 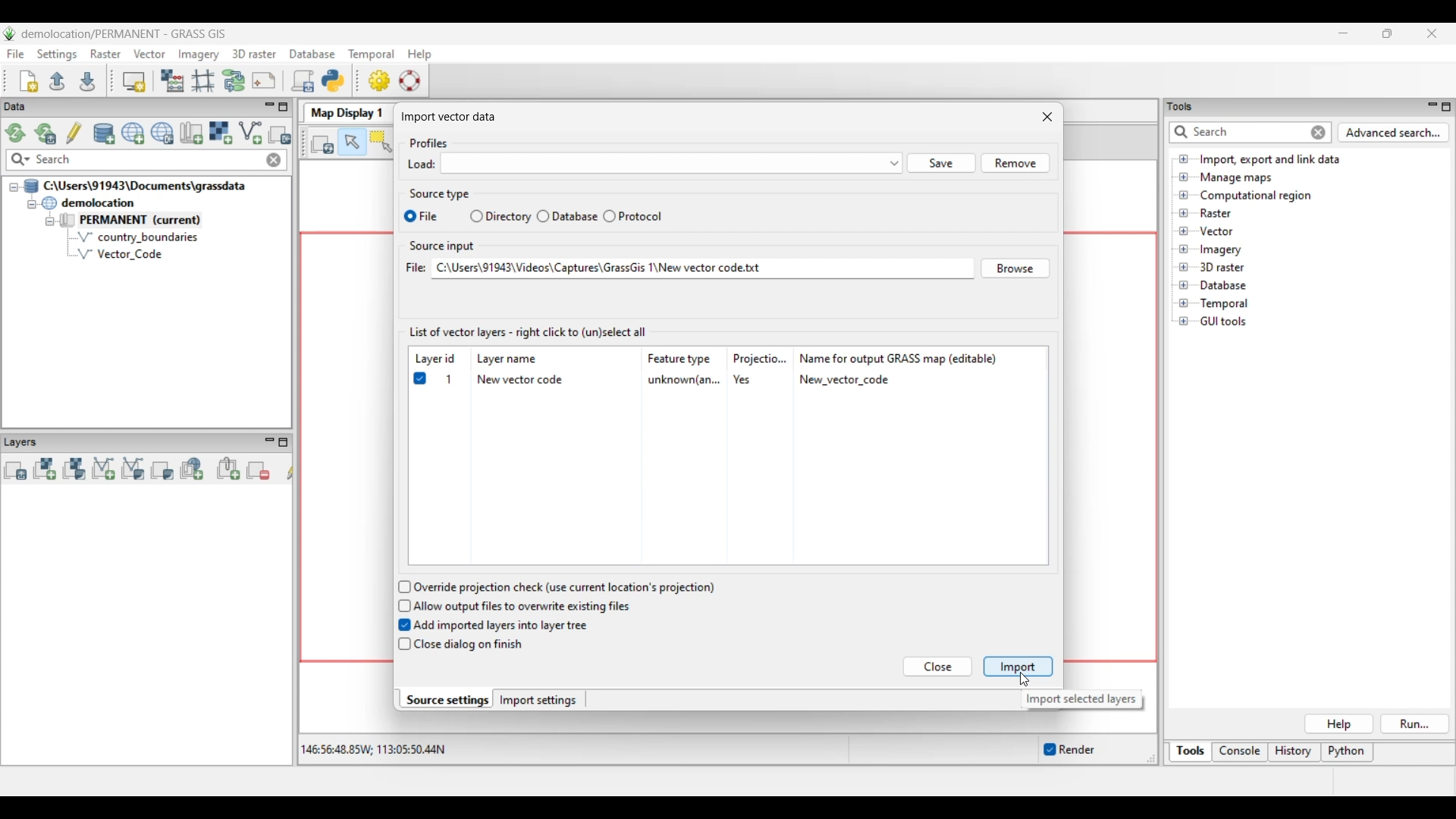 I want to click on Click to open files under Import, export and link data, so click(x=1184, y=158).